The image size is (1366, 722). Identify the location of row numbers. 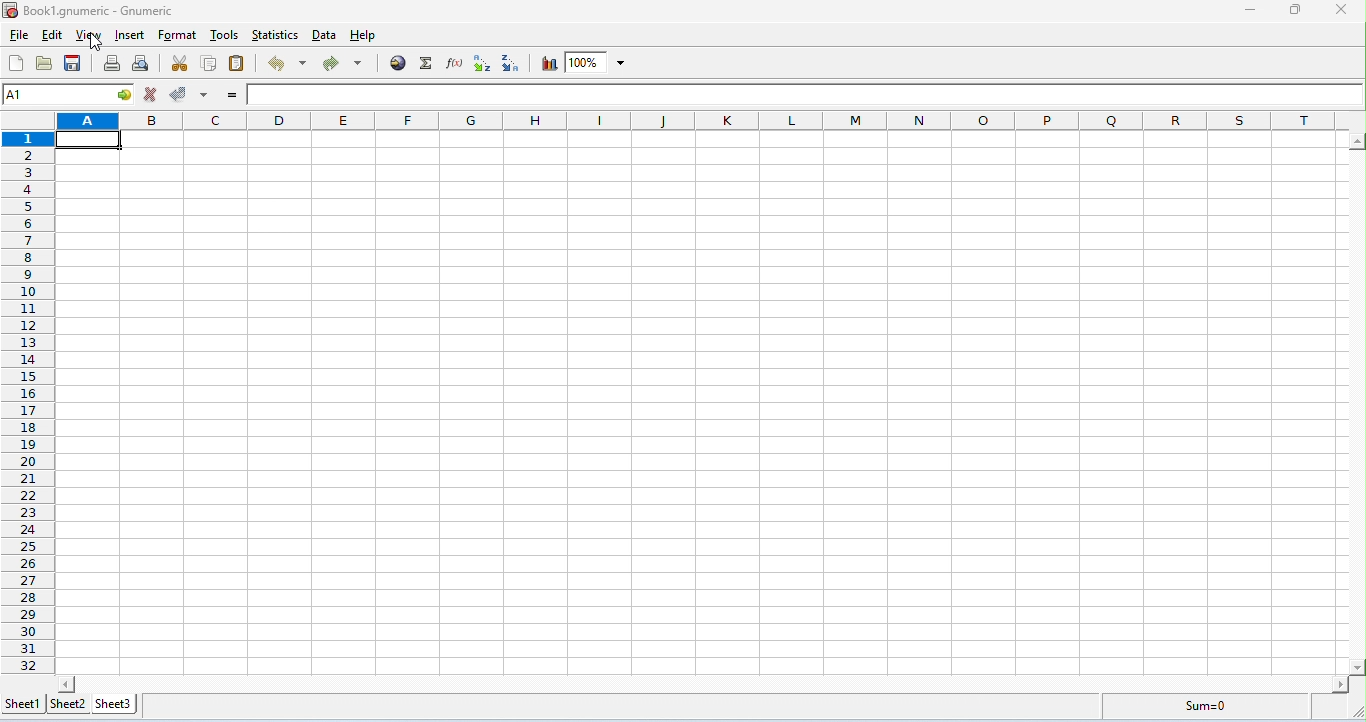
(27, 402).